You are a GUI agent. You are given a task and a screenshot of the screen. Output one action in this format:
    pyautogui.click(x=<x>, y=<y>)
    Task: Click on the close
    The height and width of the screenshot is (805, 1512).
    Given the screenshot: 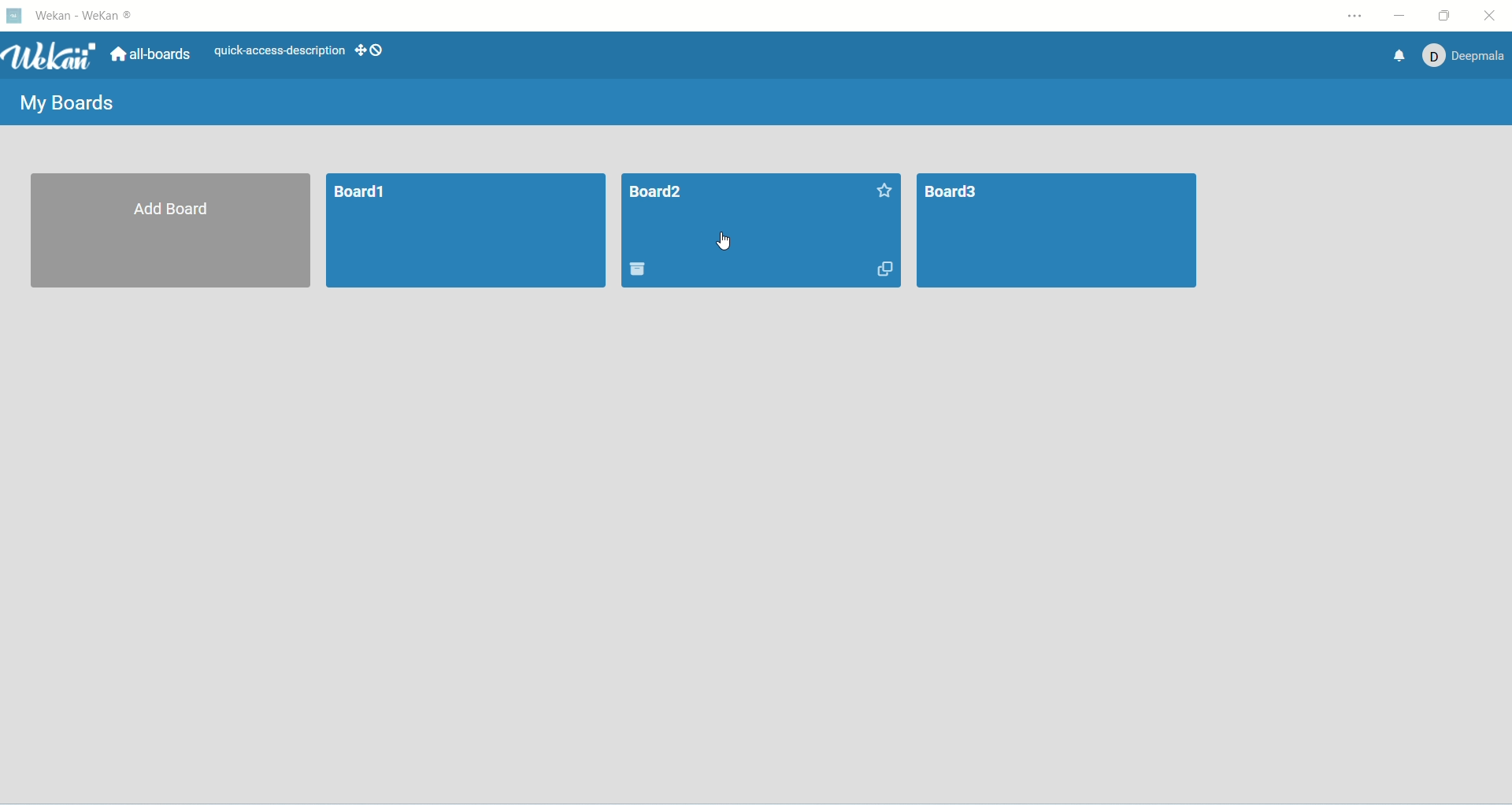 What is the action you would take?
    pyautogui.click(x=1483, y=17)
    